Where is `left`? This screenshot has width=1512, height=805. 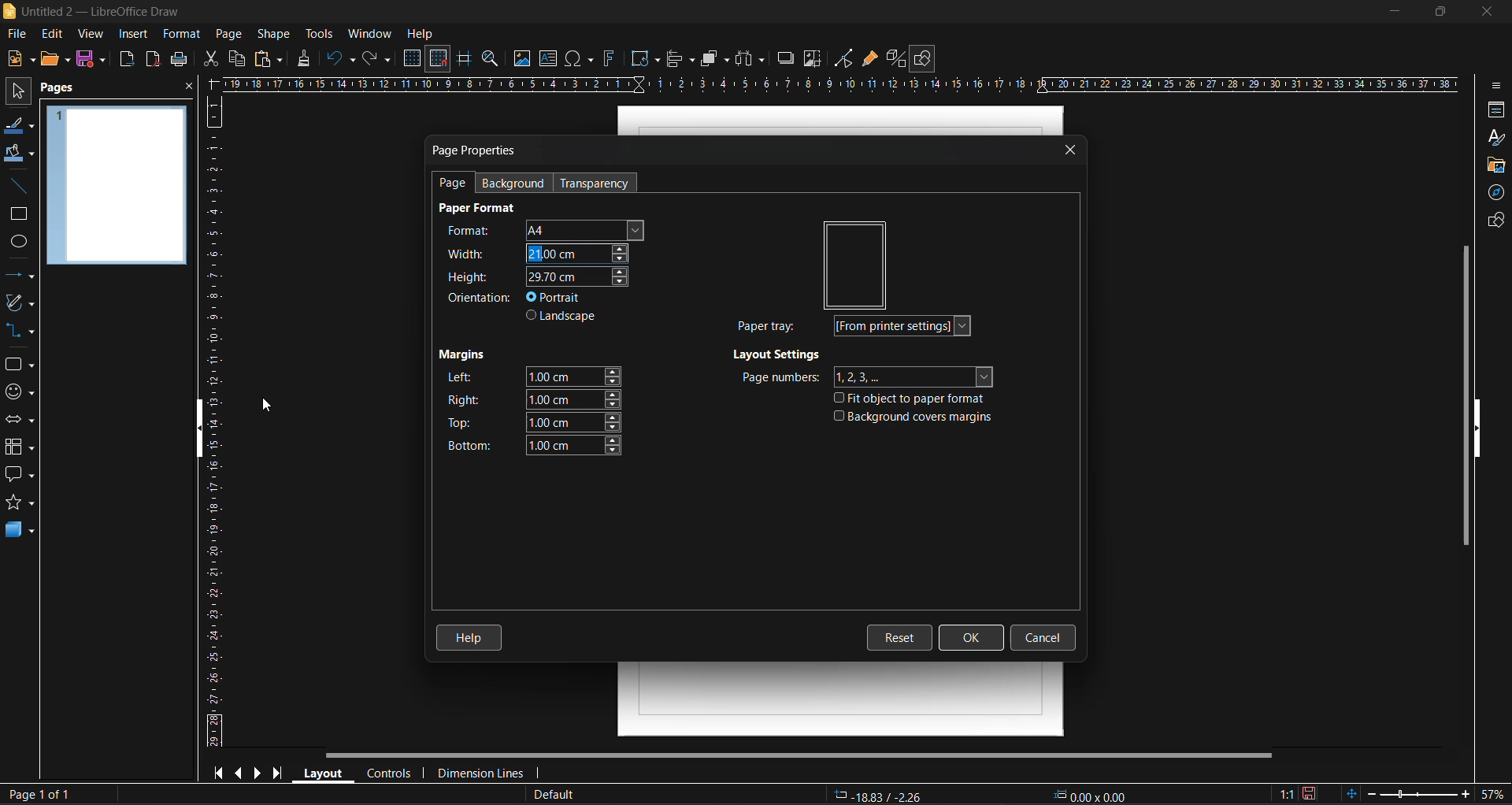
left is located at coordinates (532, 376).